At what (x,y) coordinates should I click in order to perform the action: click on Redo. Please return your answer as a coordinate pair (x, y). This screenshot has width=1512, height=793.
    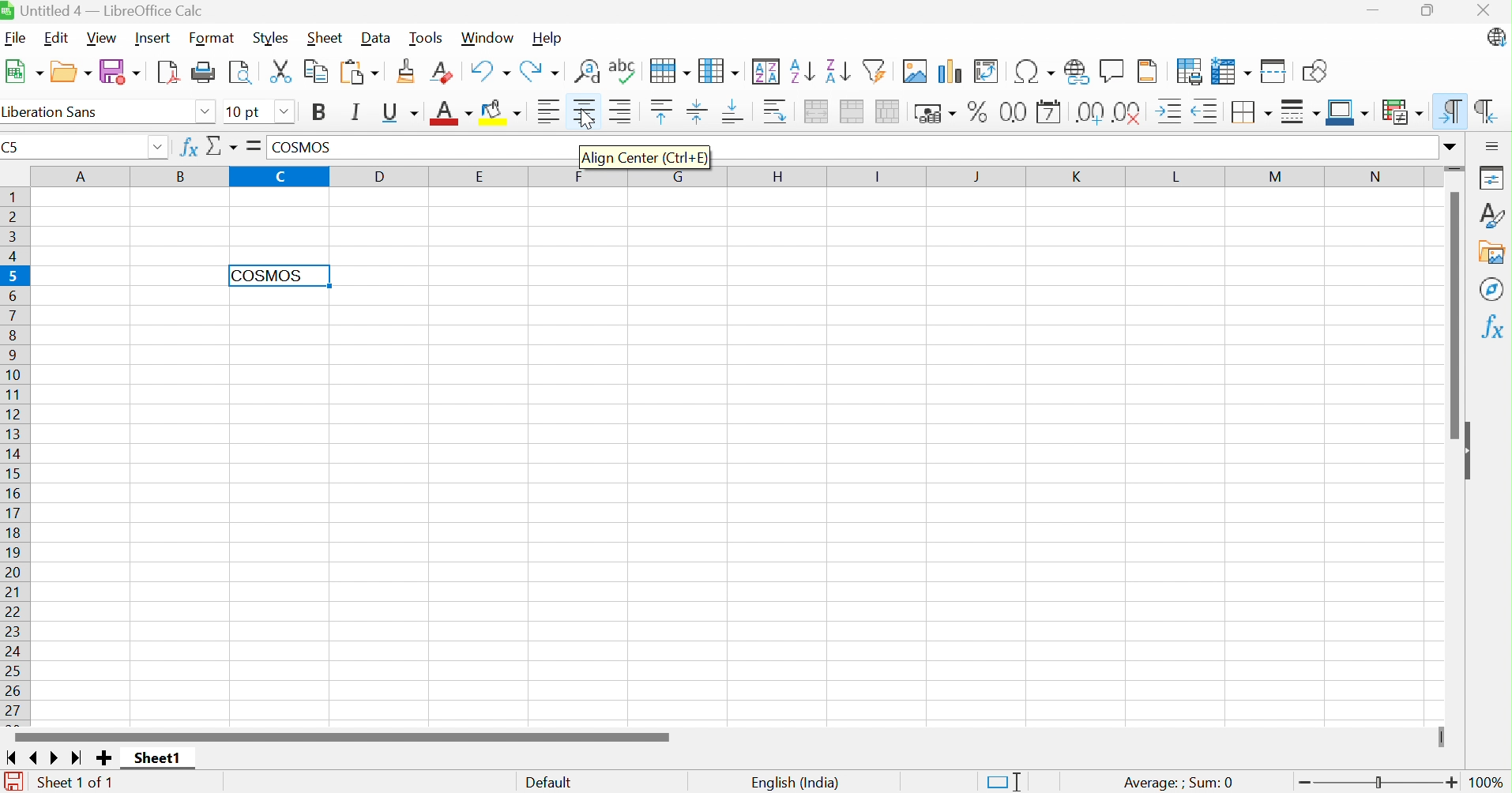
    Looking at the image, I should click on (537, 73).